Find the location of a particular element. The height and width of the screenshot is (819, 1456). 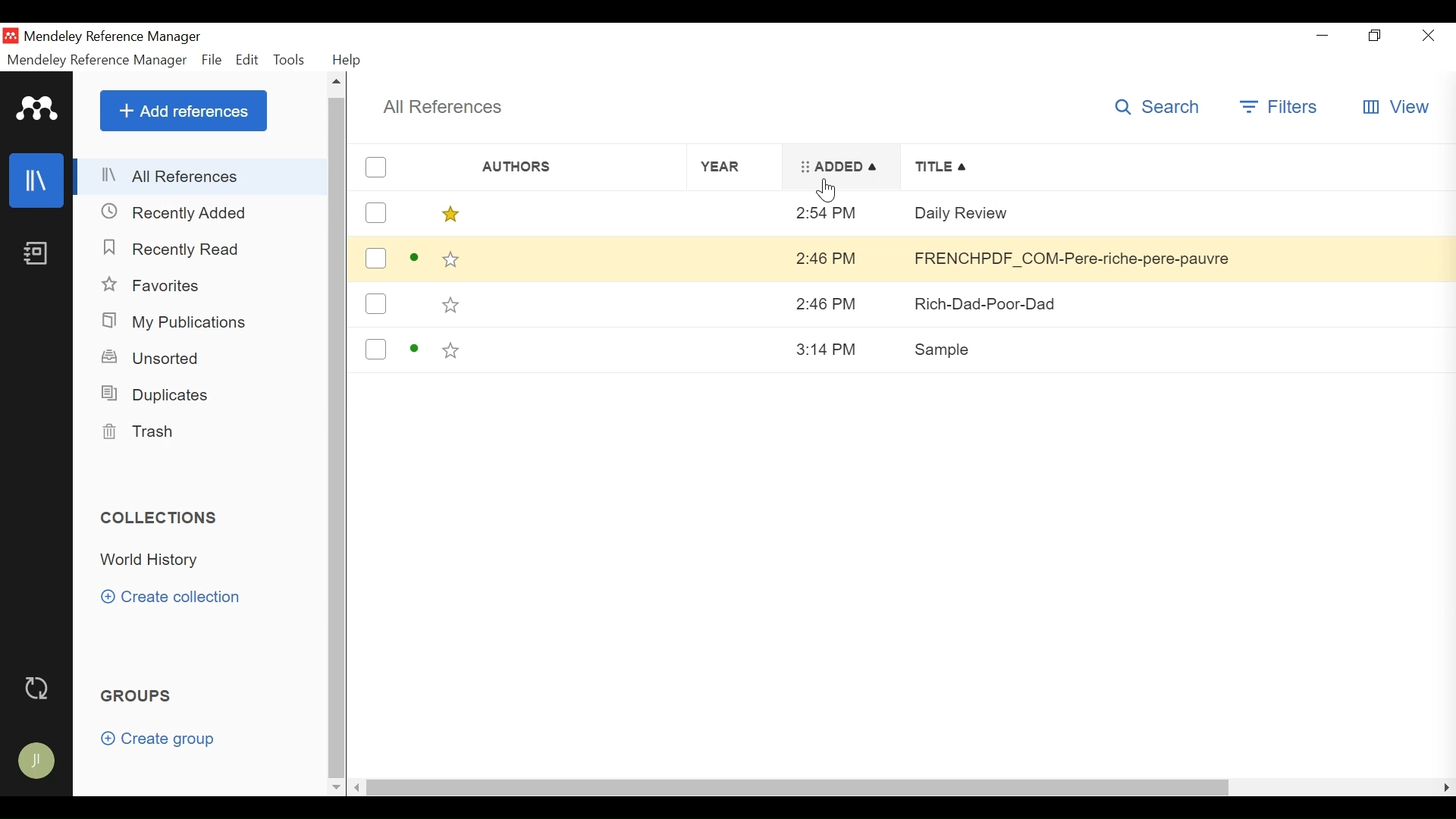

Daily Review is located at coordinates (1178, 215).